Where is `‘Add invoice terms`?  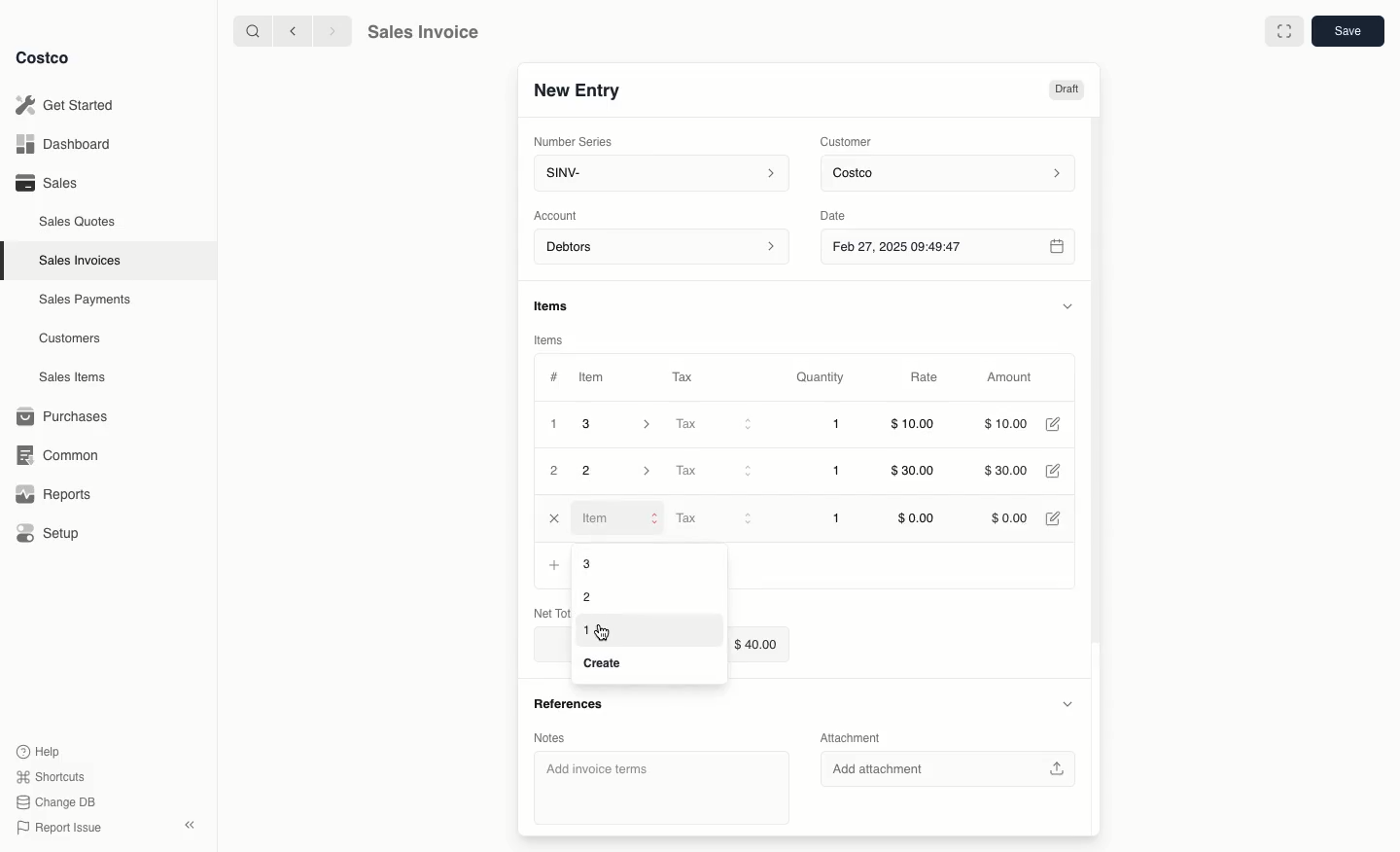 ‘Add invoice terms is located at coordinates (659, 786).